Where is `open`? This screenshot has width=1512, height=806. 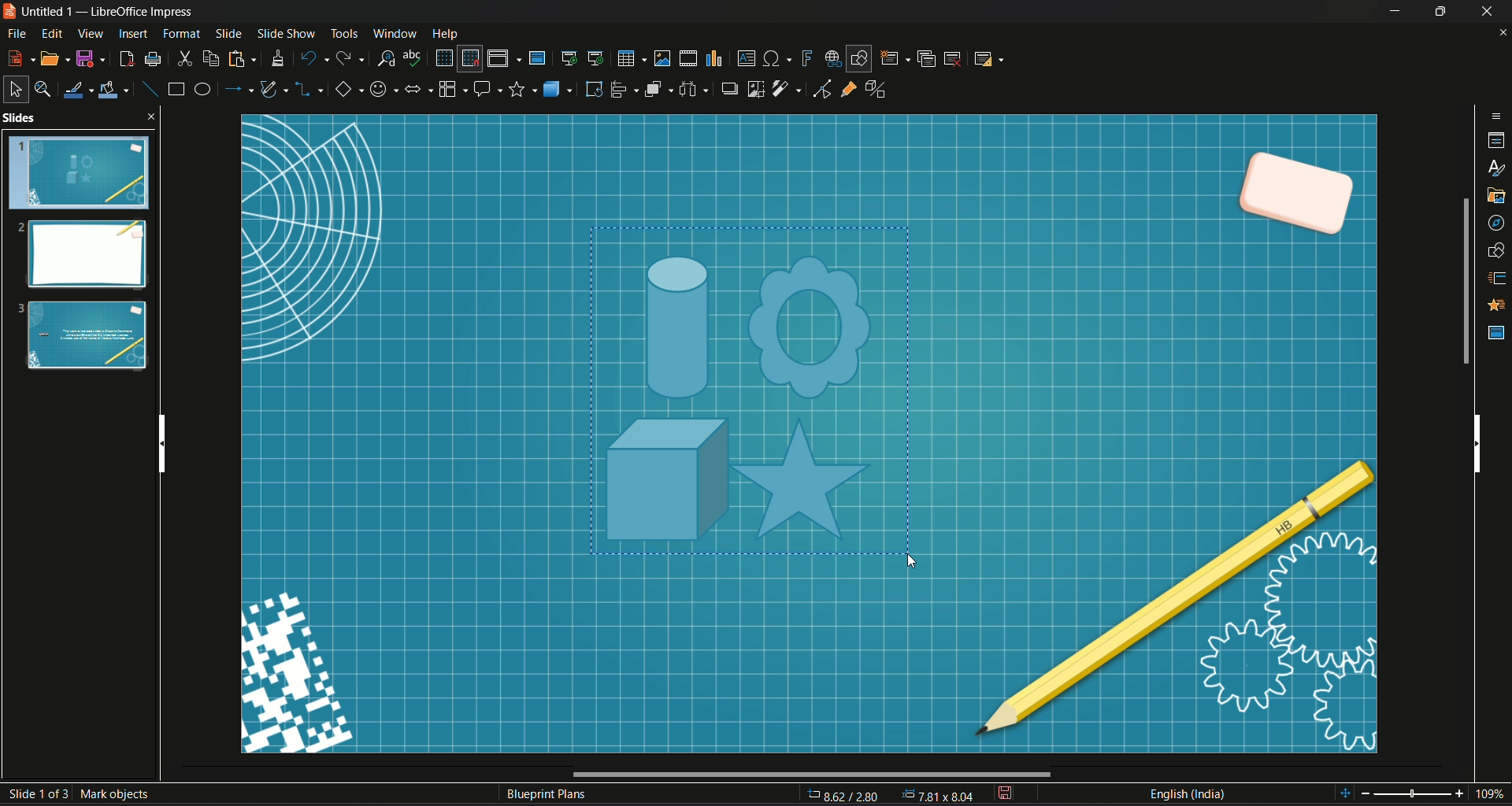 open is located at coordinates (56, 58).